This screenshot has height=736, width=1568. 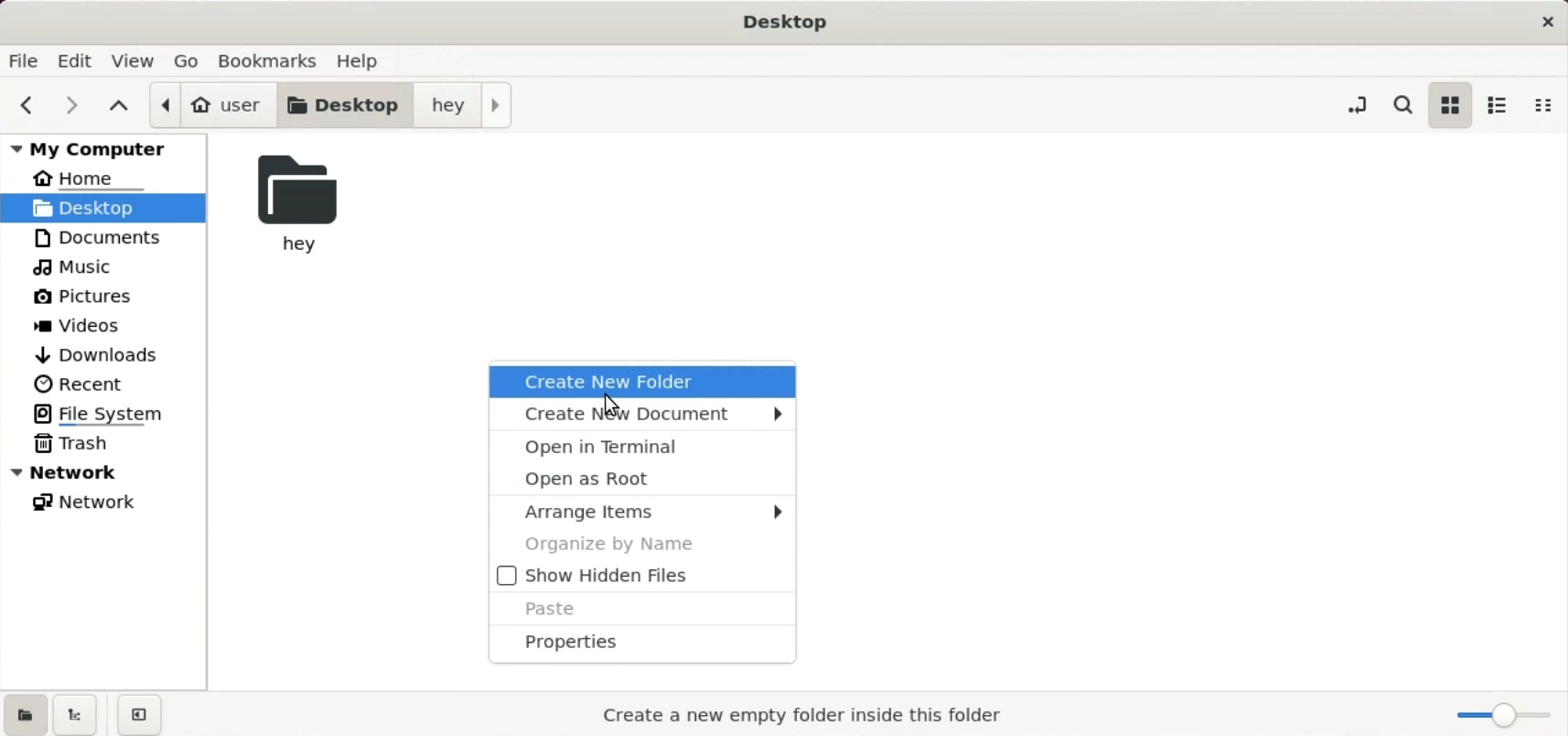 I want to click on home, so click(x=92, y=176).